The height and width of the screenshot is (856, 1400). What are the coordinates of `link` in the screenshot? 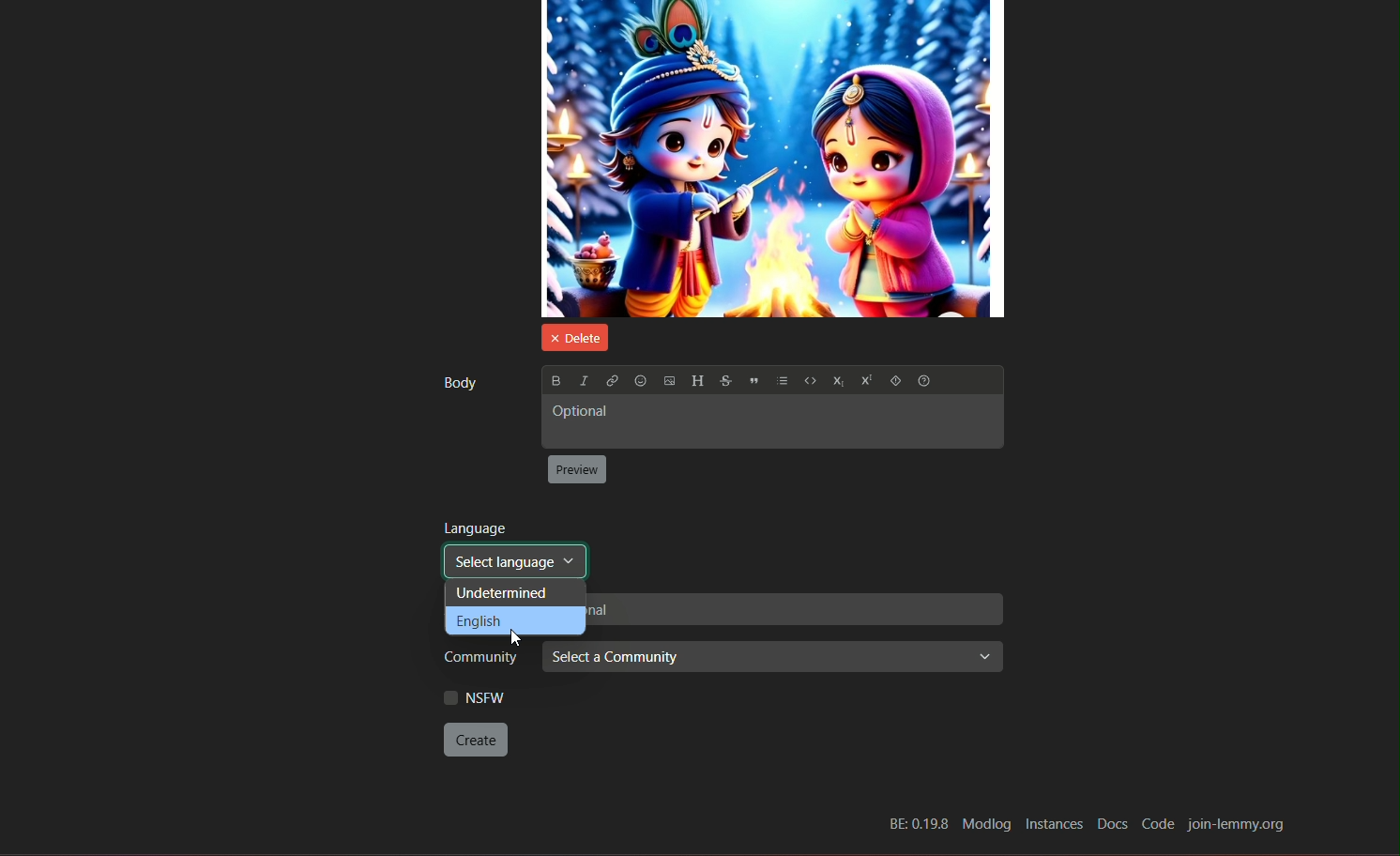 It's located at (611, 381).